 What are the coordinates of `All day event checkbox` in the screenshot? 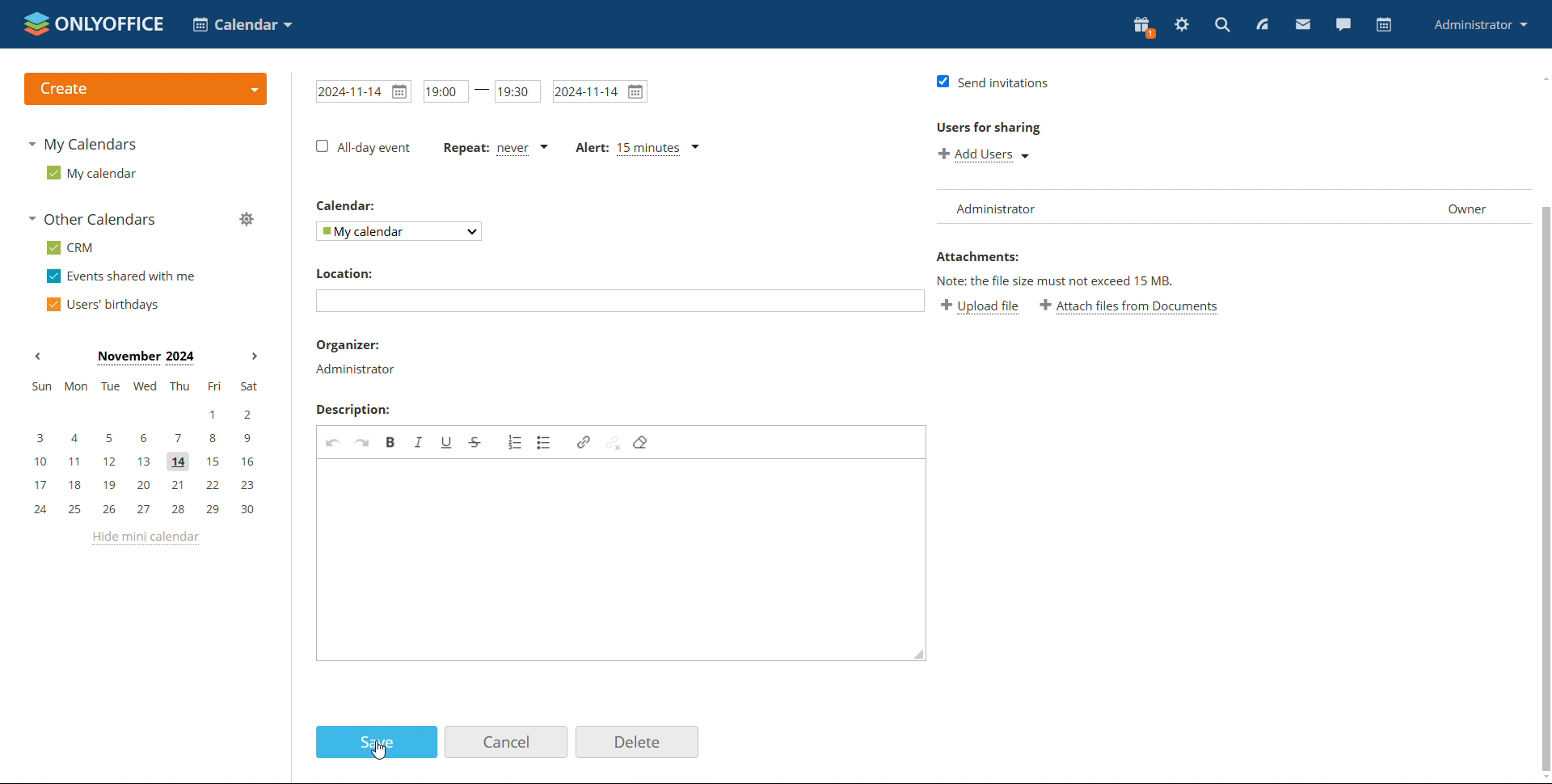 It's located at (365, 146).